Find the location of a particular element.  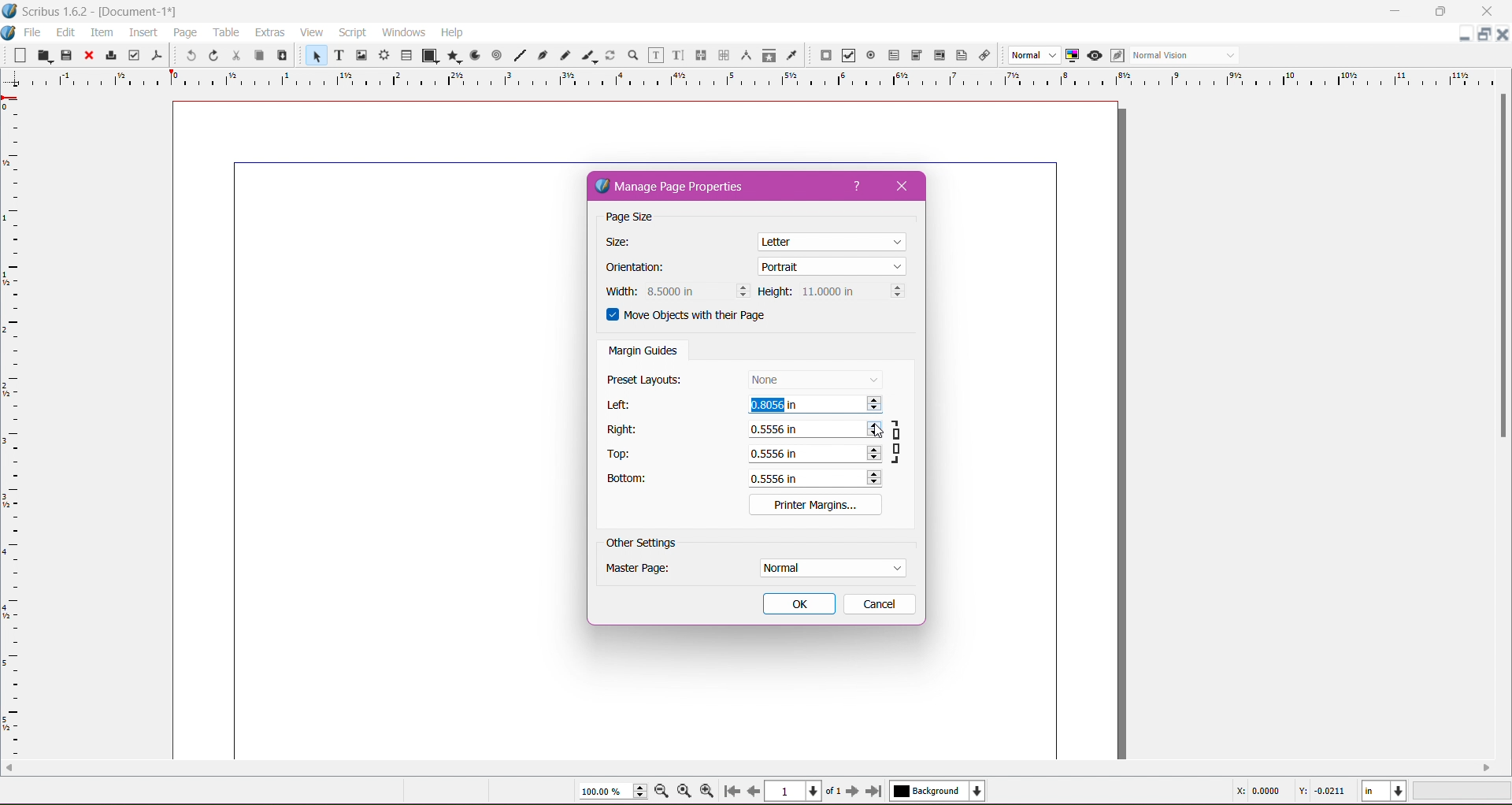

Close is located at coordinates (87, 56).